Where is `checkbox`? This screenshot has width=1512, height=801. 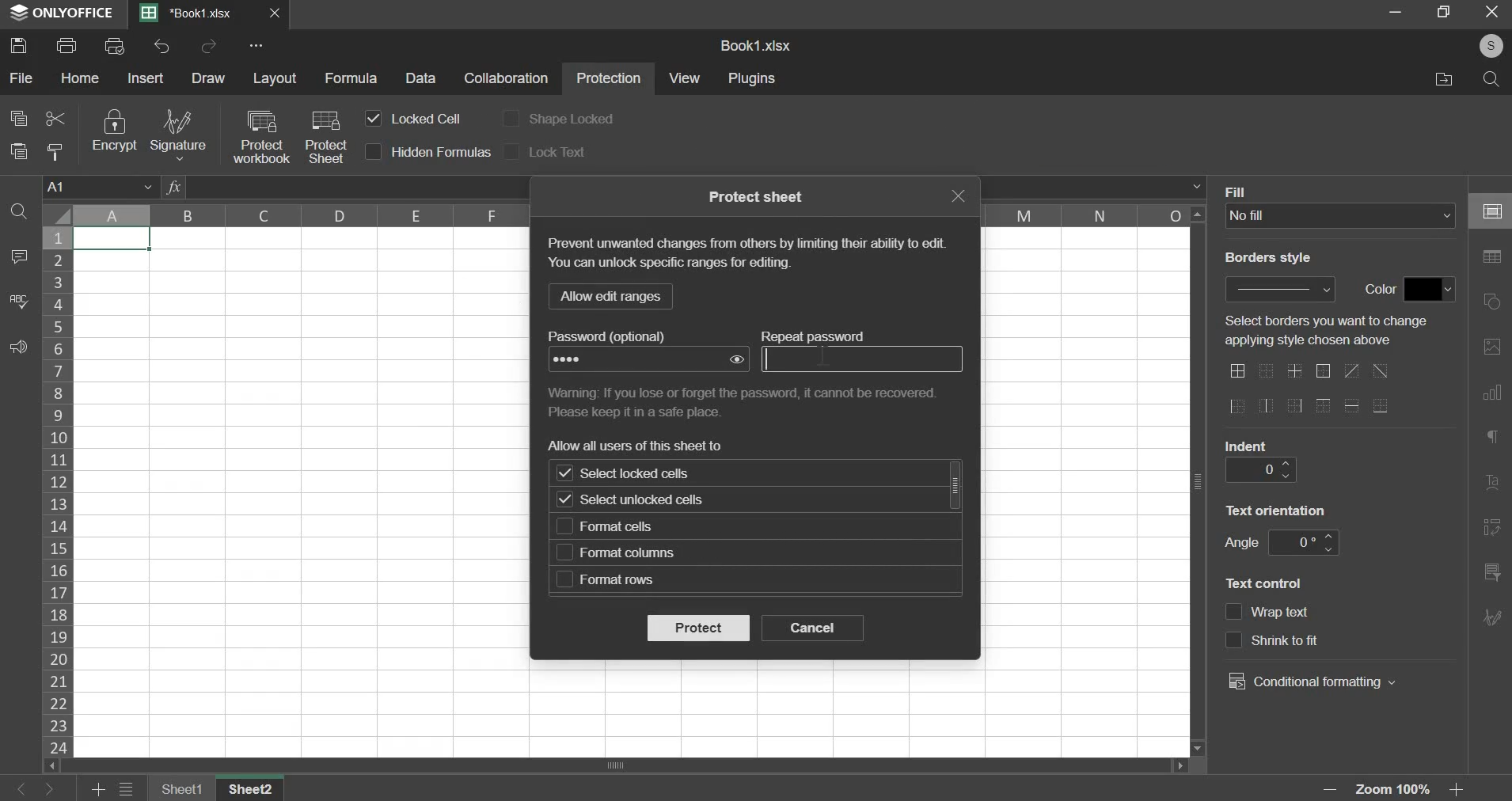 checkbox is located at coordinates (374, 152).